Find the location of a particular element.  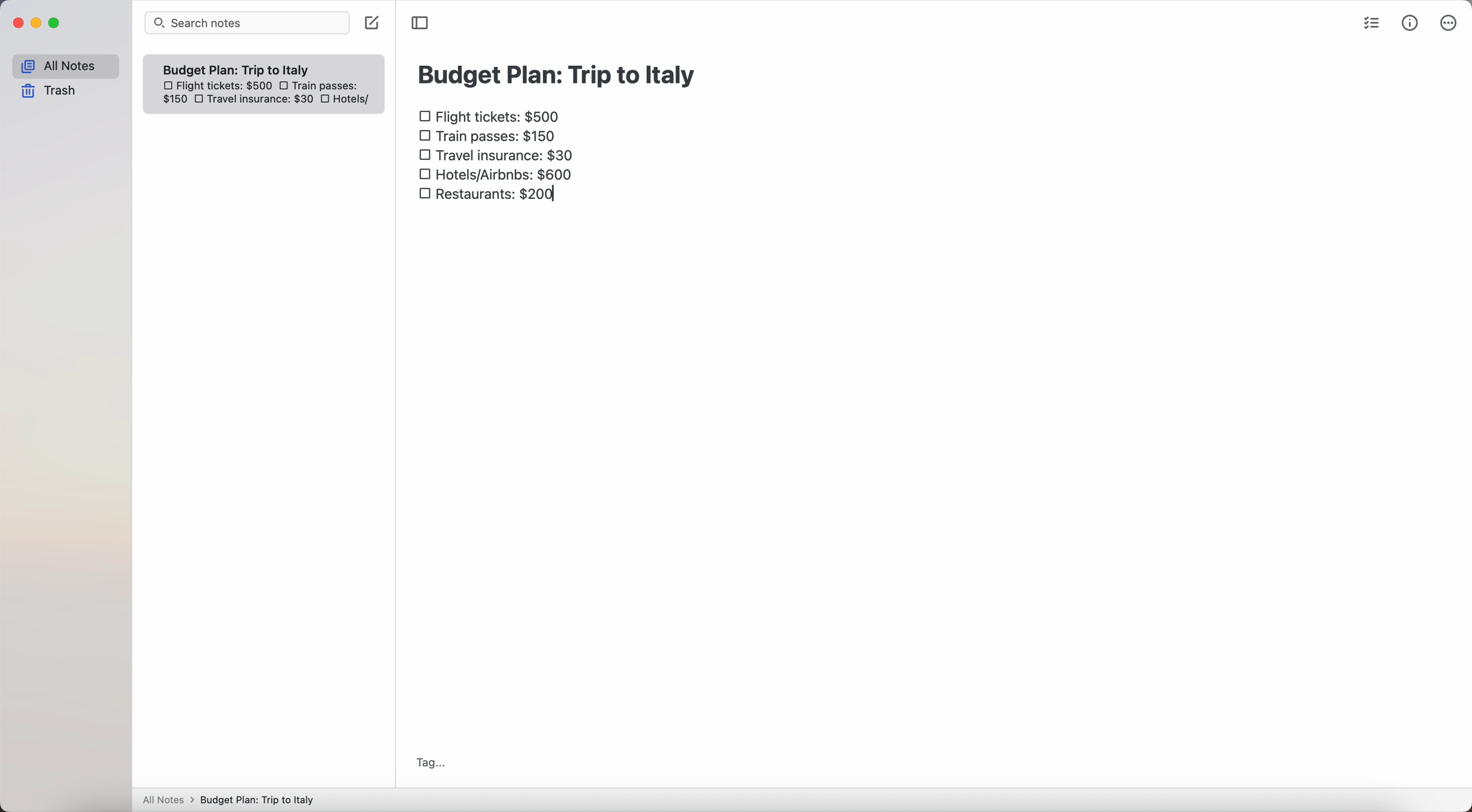

more options is located at coordinates (1449, 23).